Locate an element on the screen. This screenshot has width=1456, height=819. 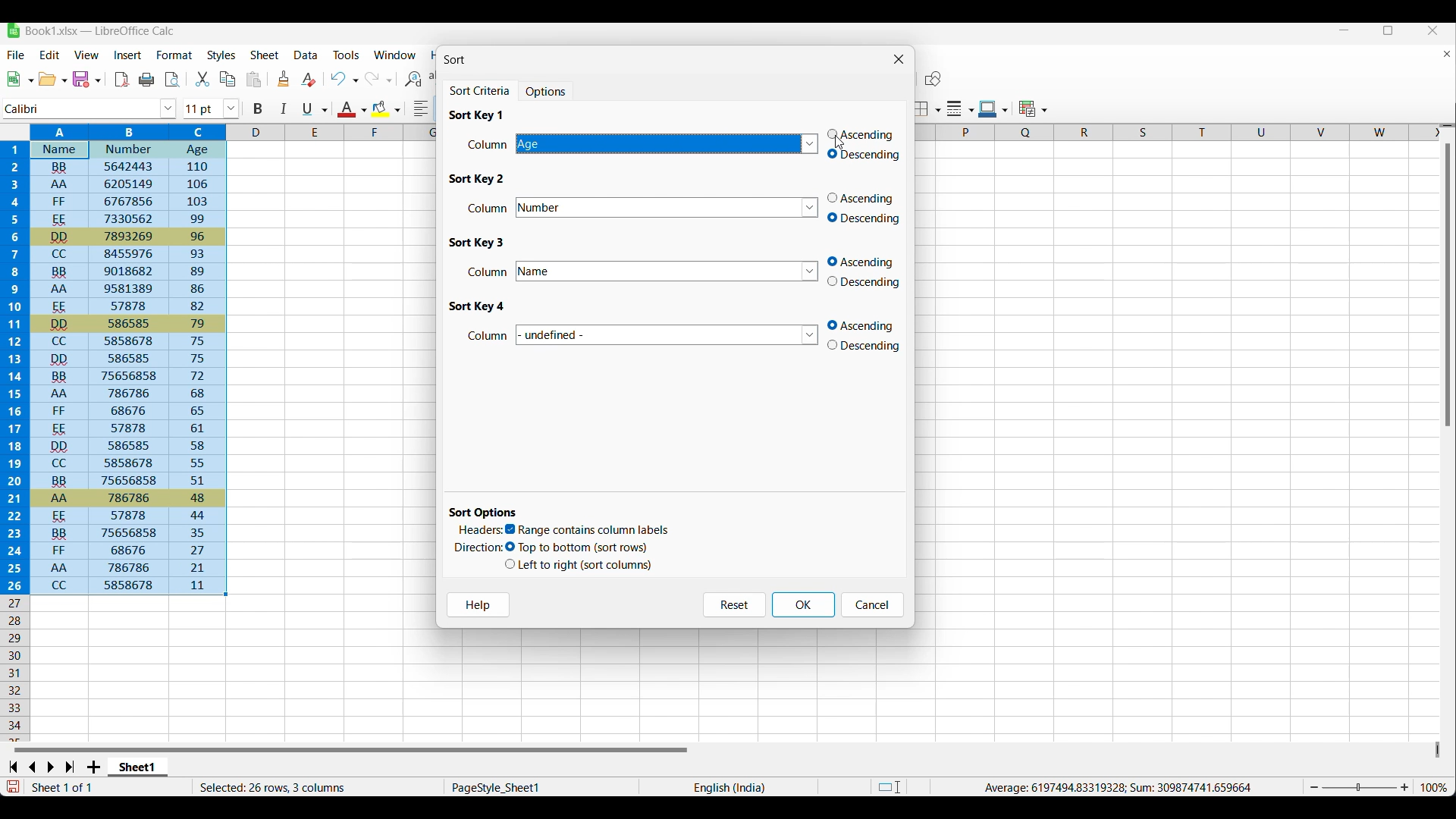
Current page style is located at coordinates (540, 787).